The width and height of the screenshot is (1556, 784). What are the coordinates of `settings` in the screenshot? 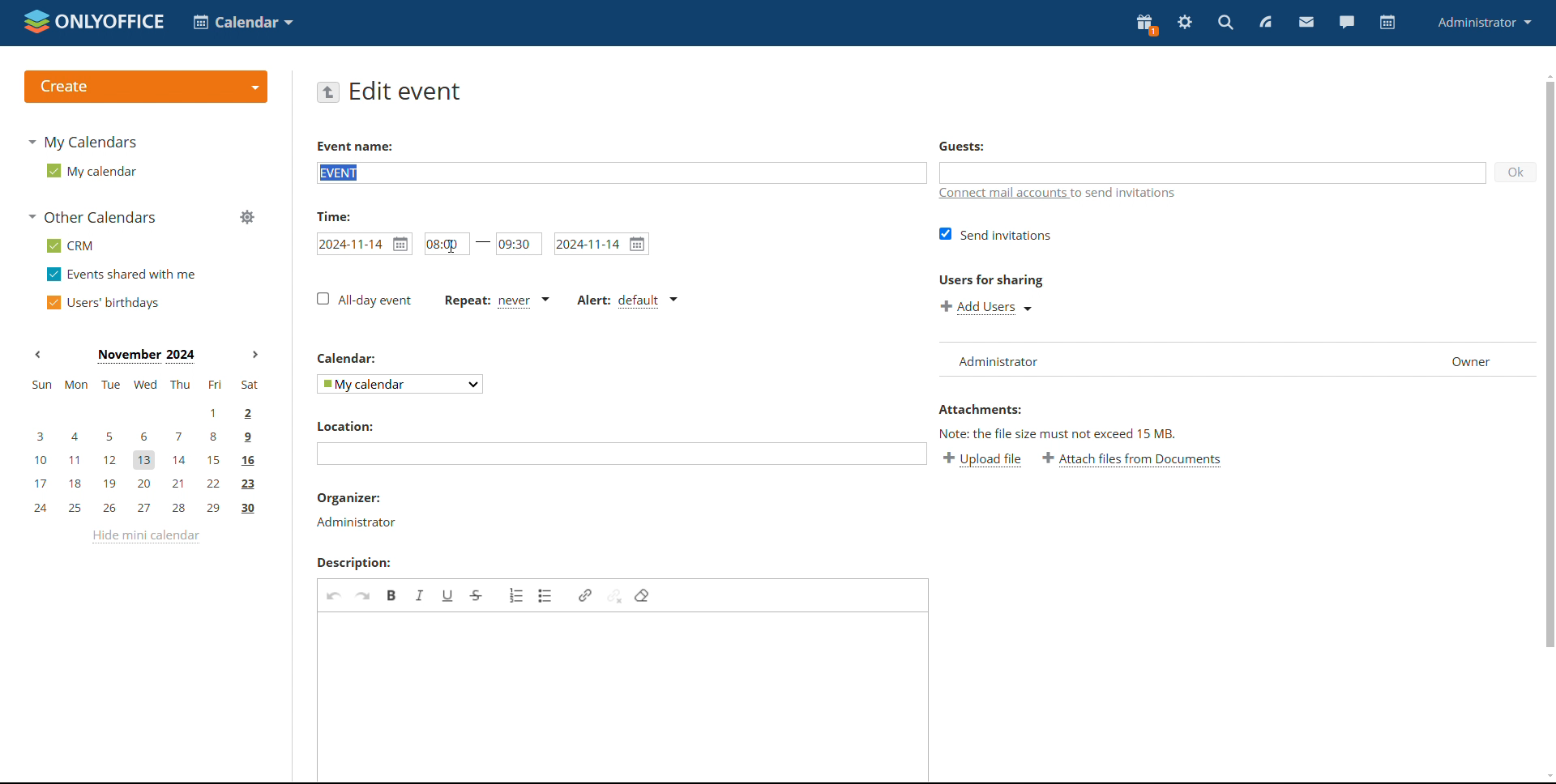 It's located at (1185, 24).